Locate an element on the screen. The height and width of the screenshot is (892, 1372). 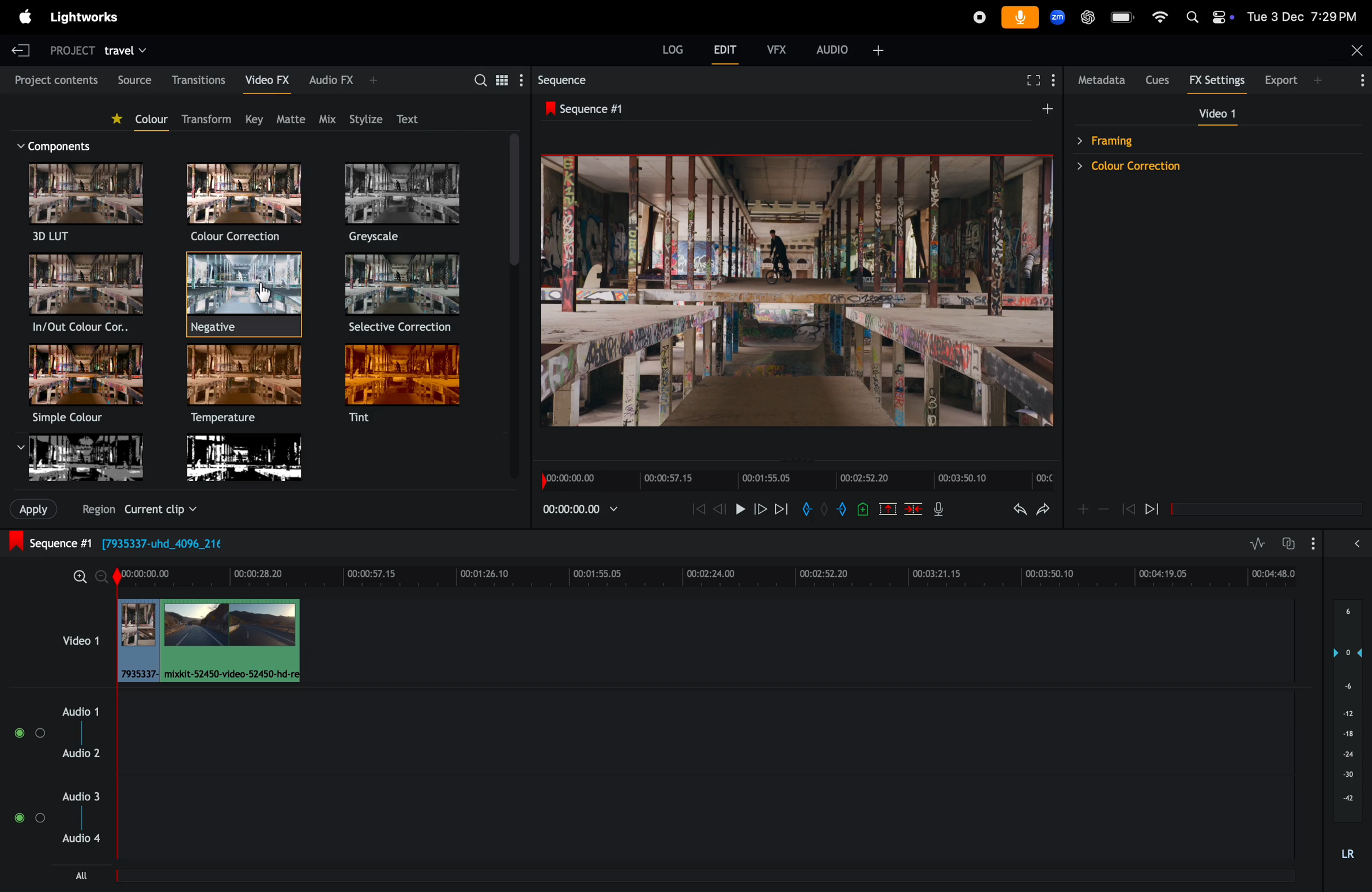
key is located at coordinates (256, 116).